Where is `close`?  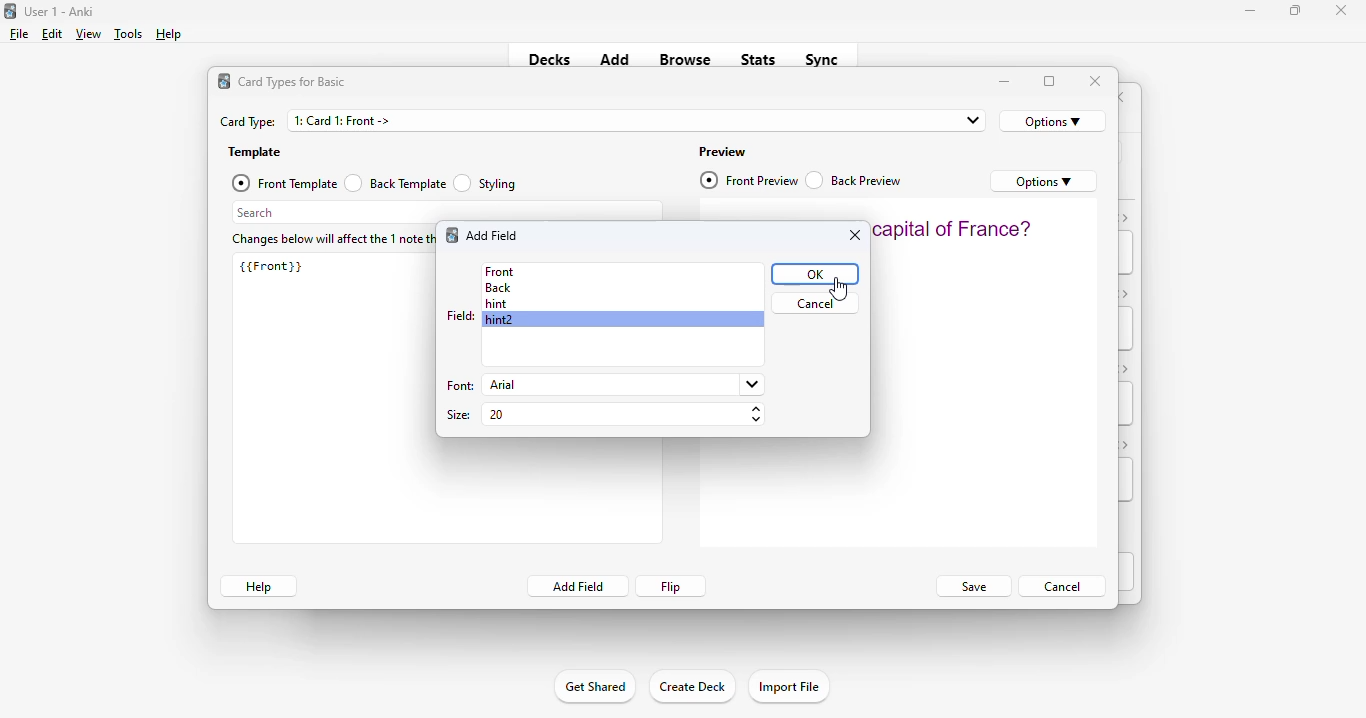 close is located at coordinates (1096, 81).